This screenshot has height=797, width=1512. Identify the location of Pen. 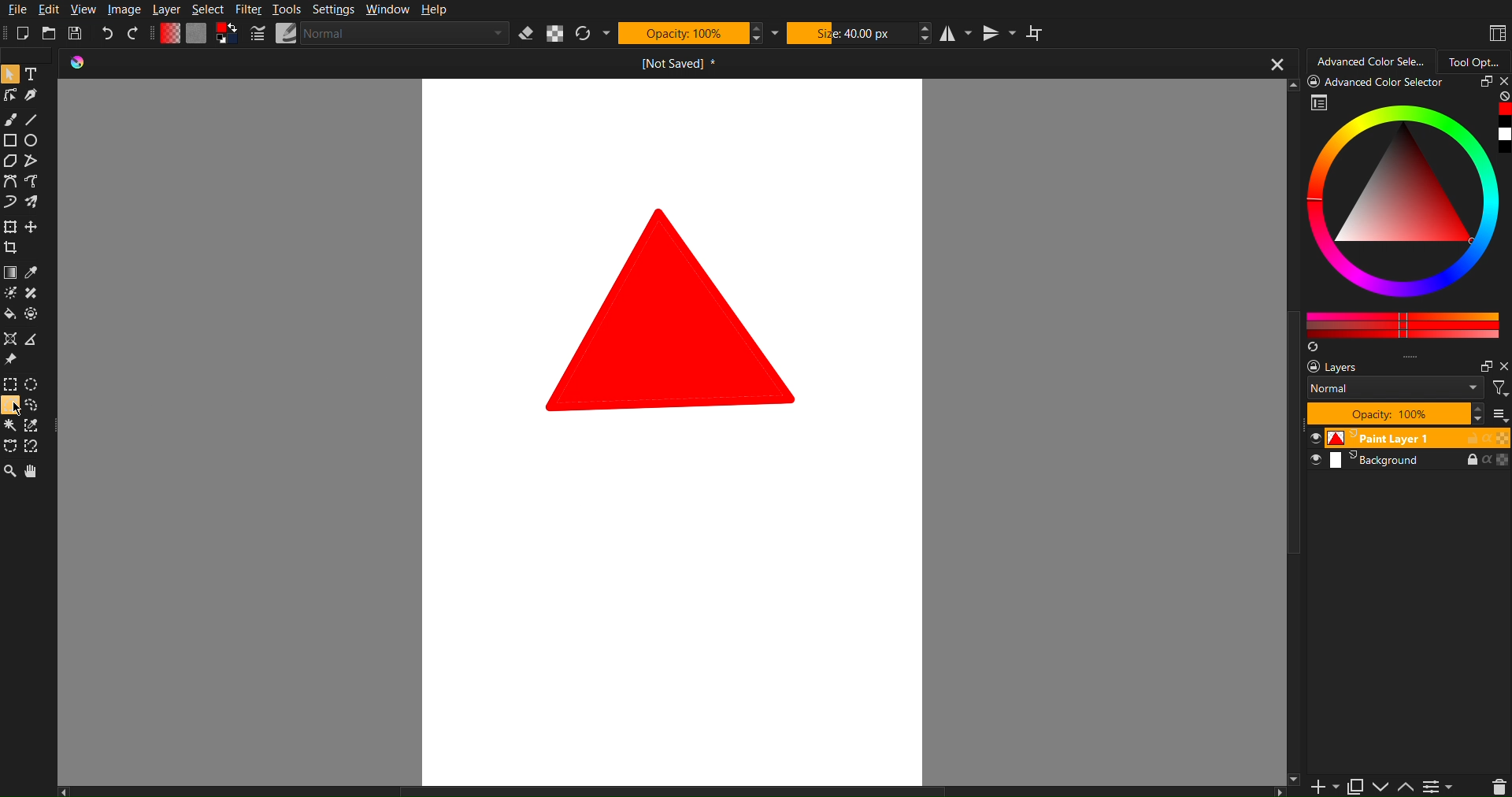
(32, 97).